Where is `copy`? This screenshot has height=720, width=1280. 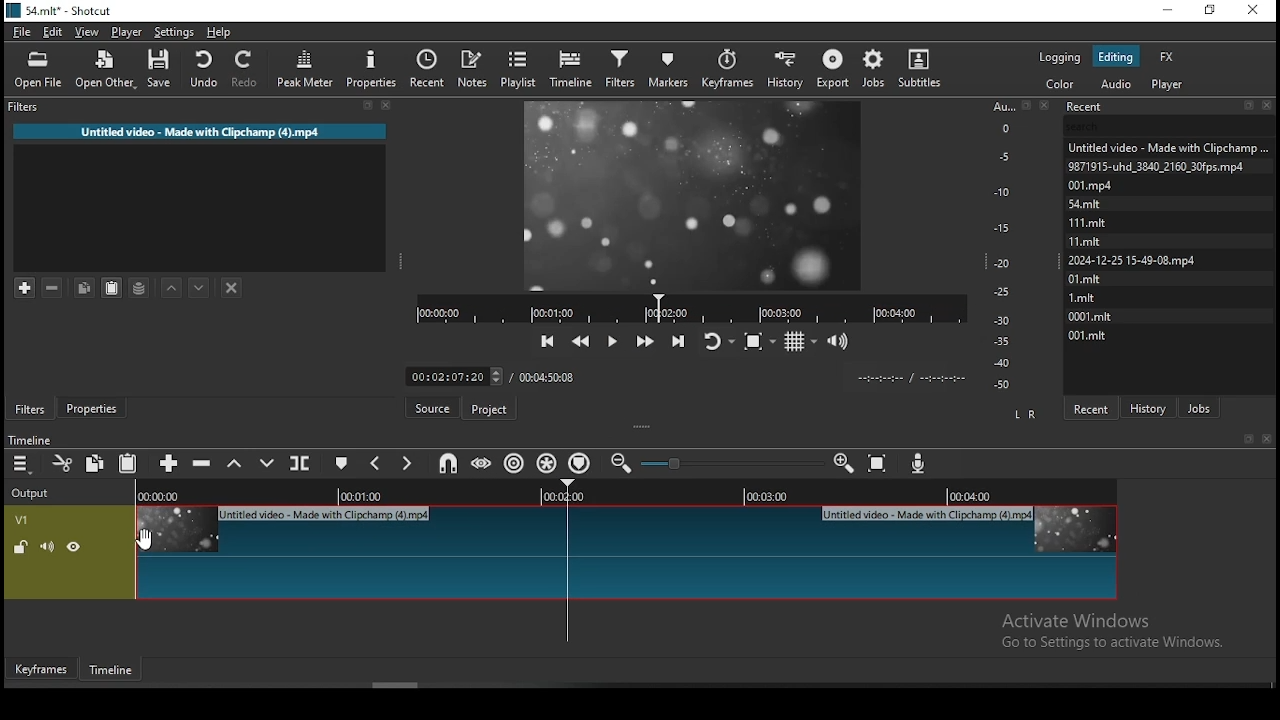
copy is located at coordinates (86, 285).